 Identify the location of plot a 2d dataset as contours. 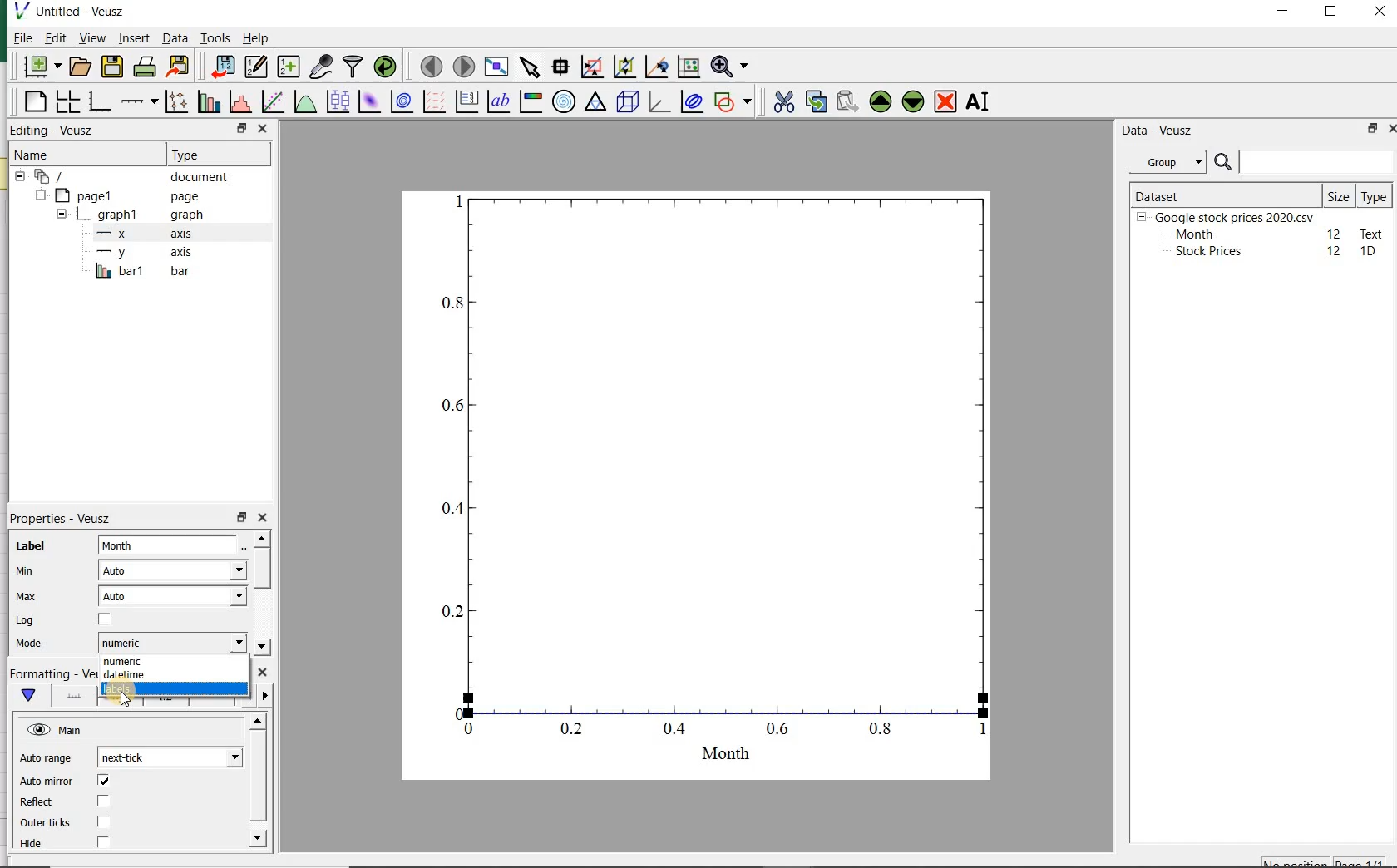
(399, 103).